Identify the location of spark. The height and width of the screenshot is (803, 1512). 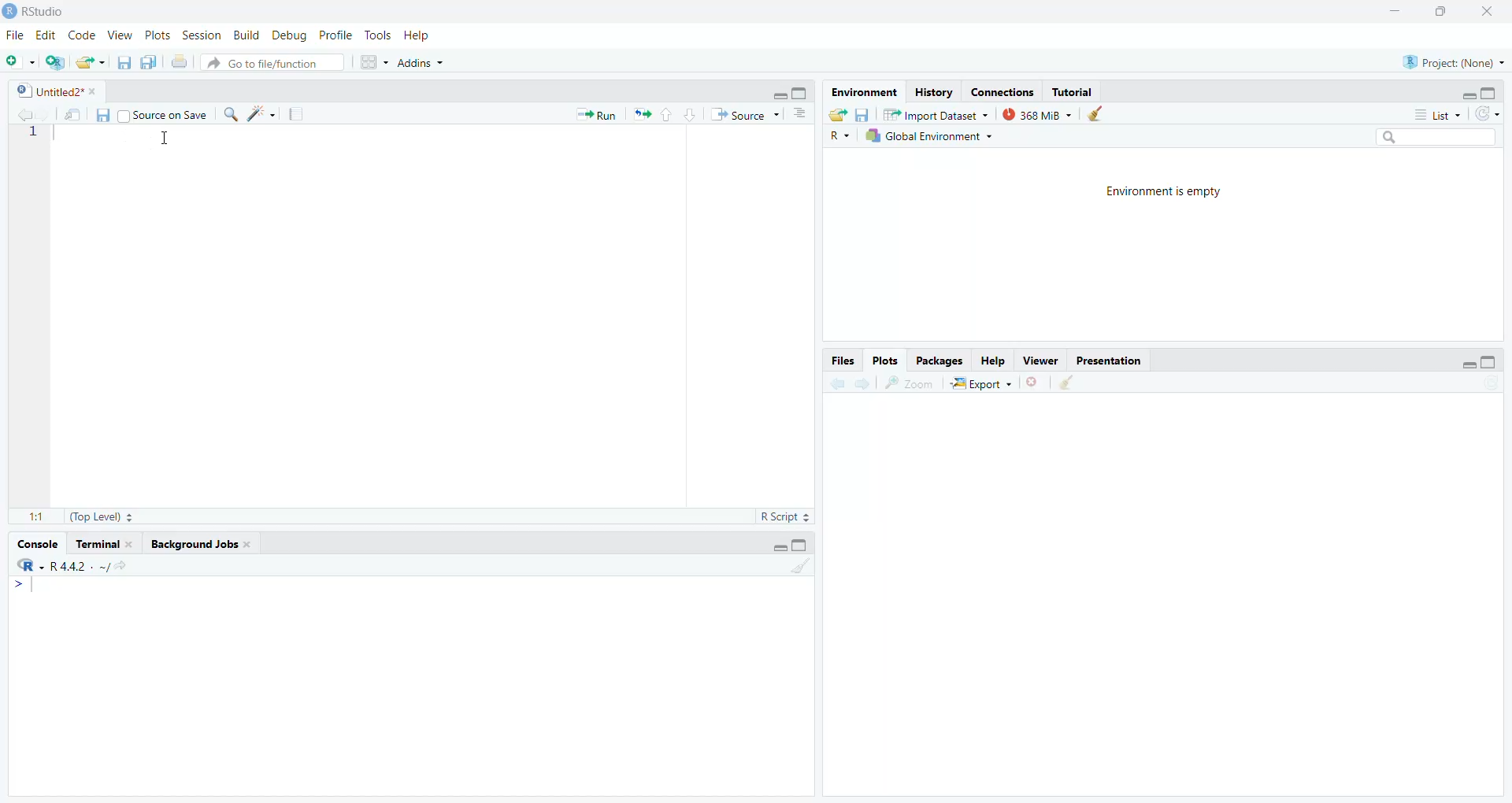
(264, 115).